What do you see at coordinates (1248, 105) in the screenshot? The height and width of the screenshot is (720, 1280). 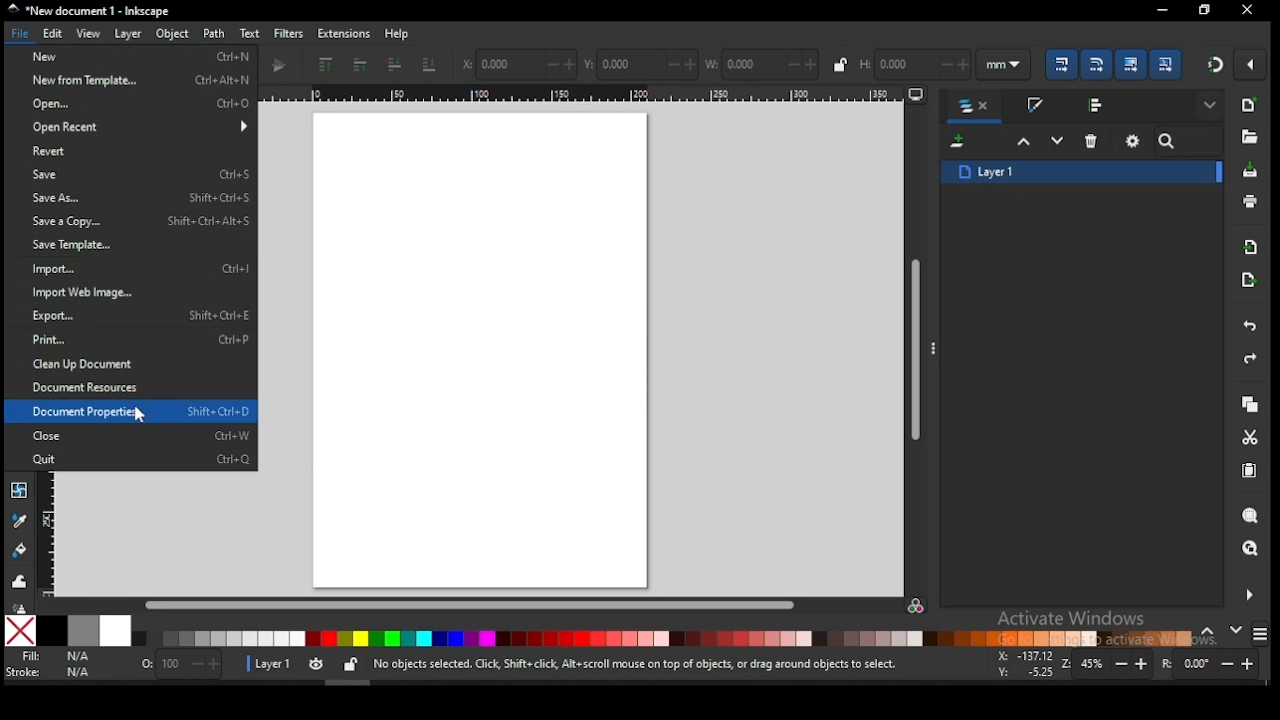 I see `new` at bounding box center [1248, 105].